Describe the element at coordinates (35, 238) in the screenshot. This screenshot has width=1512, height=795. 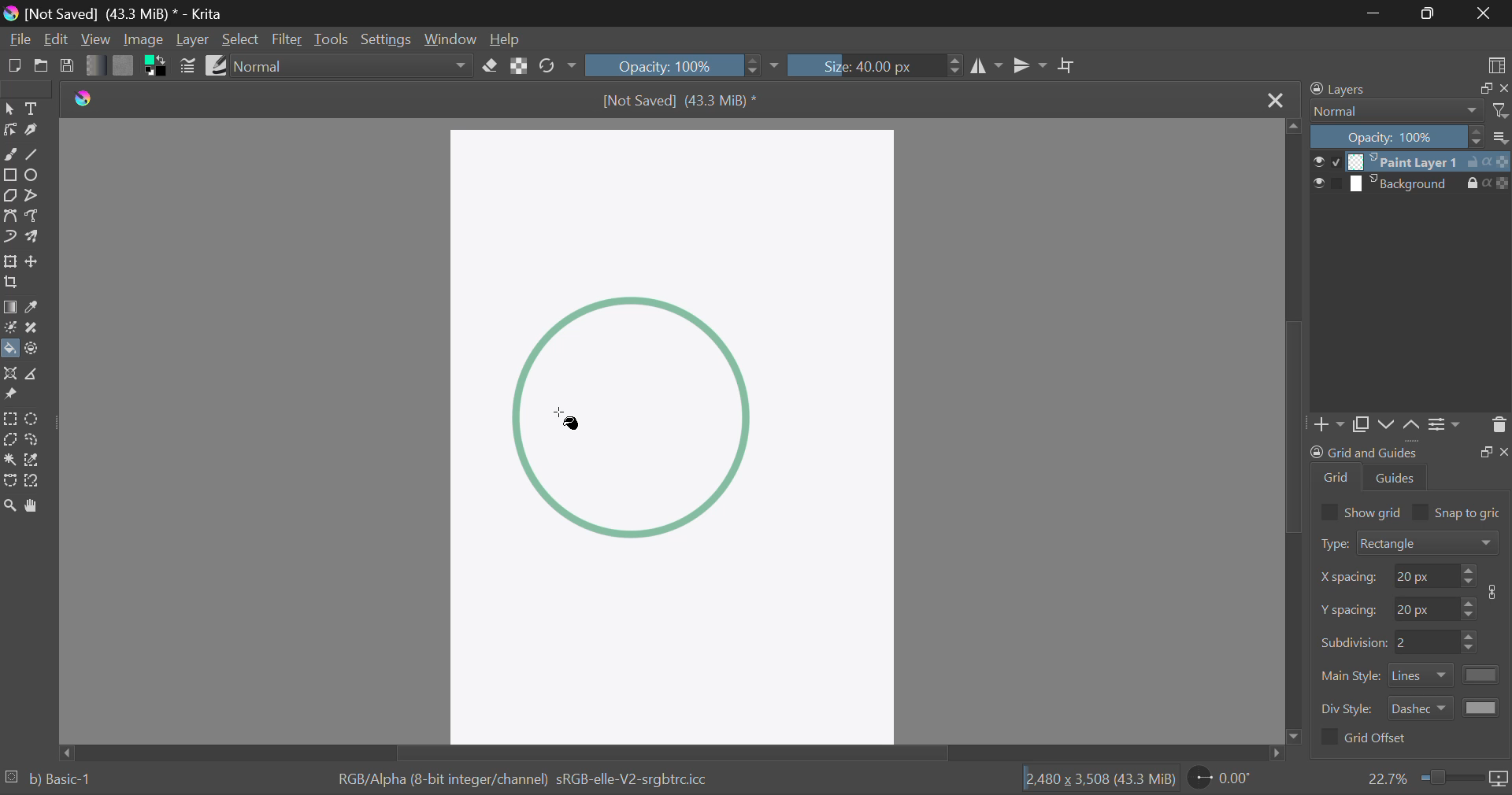
I see `Multibrush Tool` at that location.